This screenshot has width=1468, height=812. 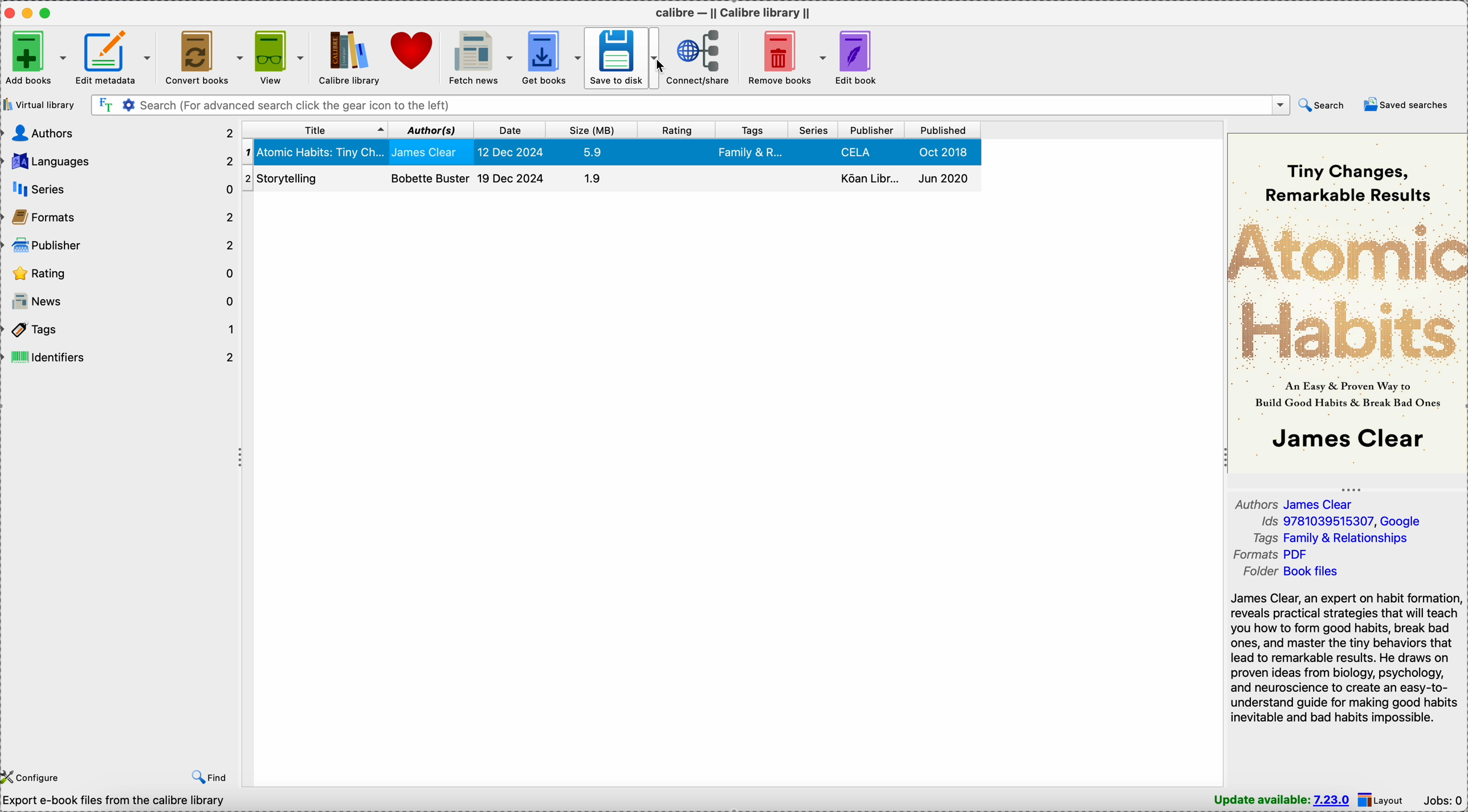 What do you see at coordinates (119, 58) in the screenshot?
I see `edit metadata` at bounding box center [119, 58].